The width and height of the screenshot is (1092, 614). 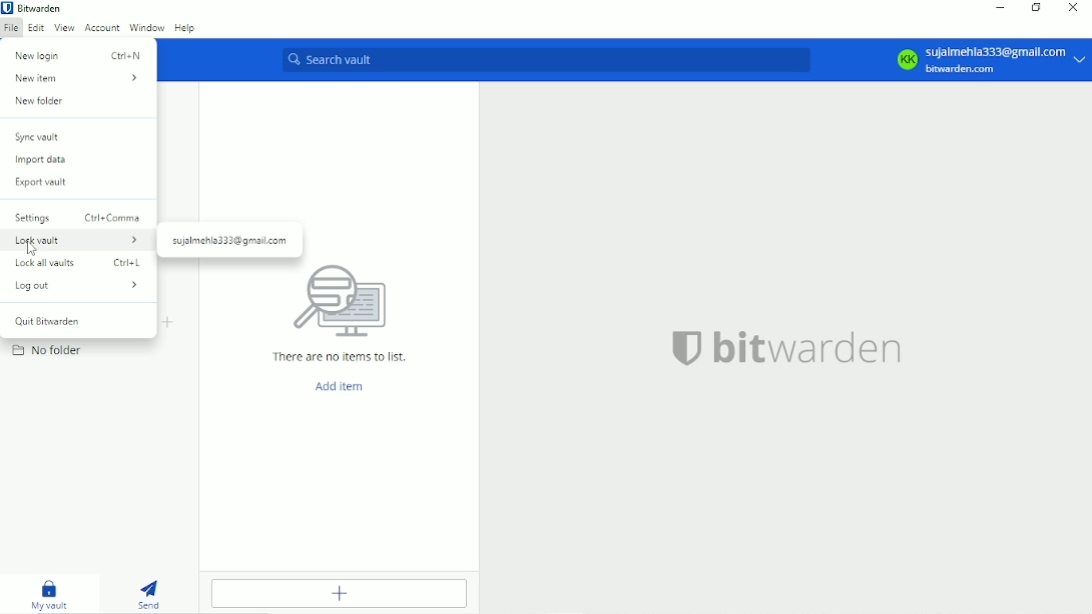 I want to click on Account, so click(x=102, y=29).